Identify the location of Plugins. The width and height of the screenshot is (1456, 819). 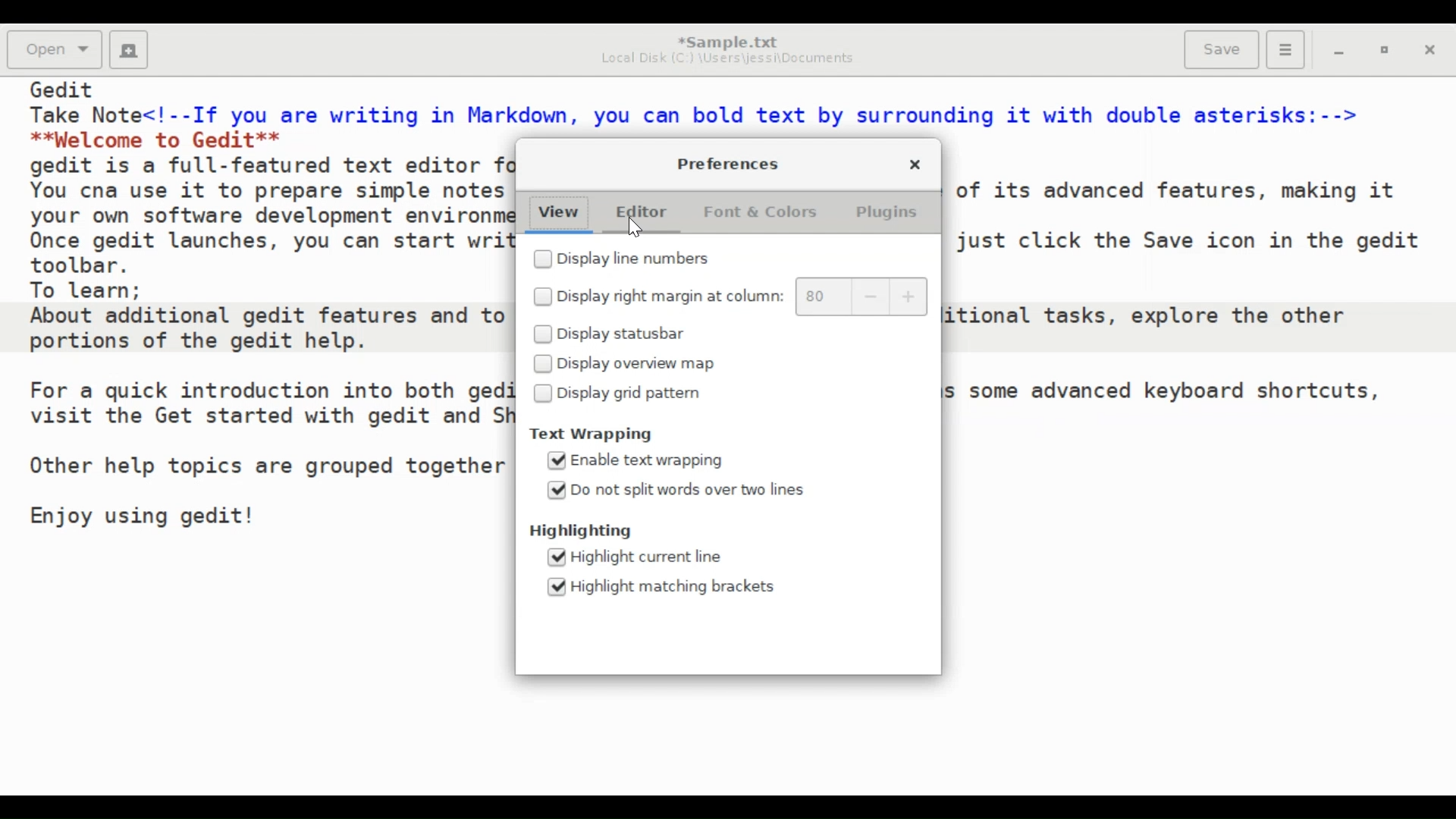
(886, 212).